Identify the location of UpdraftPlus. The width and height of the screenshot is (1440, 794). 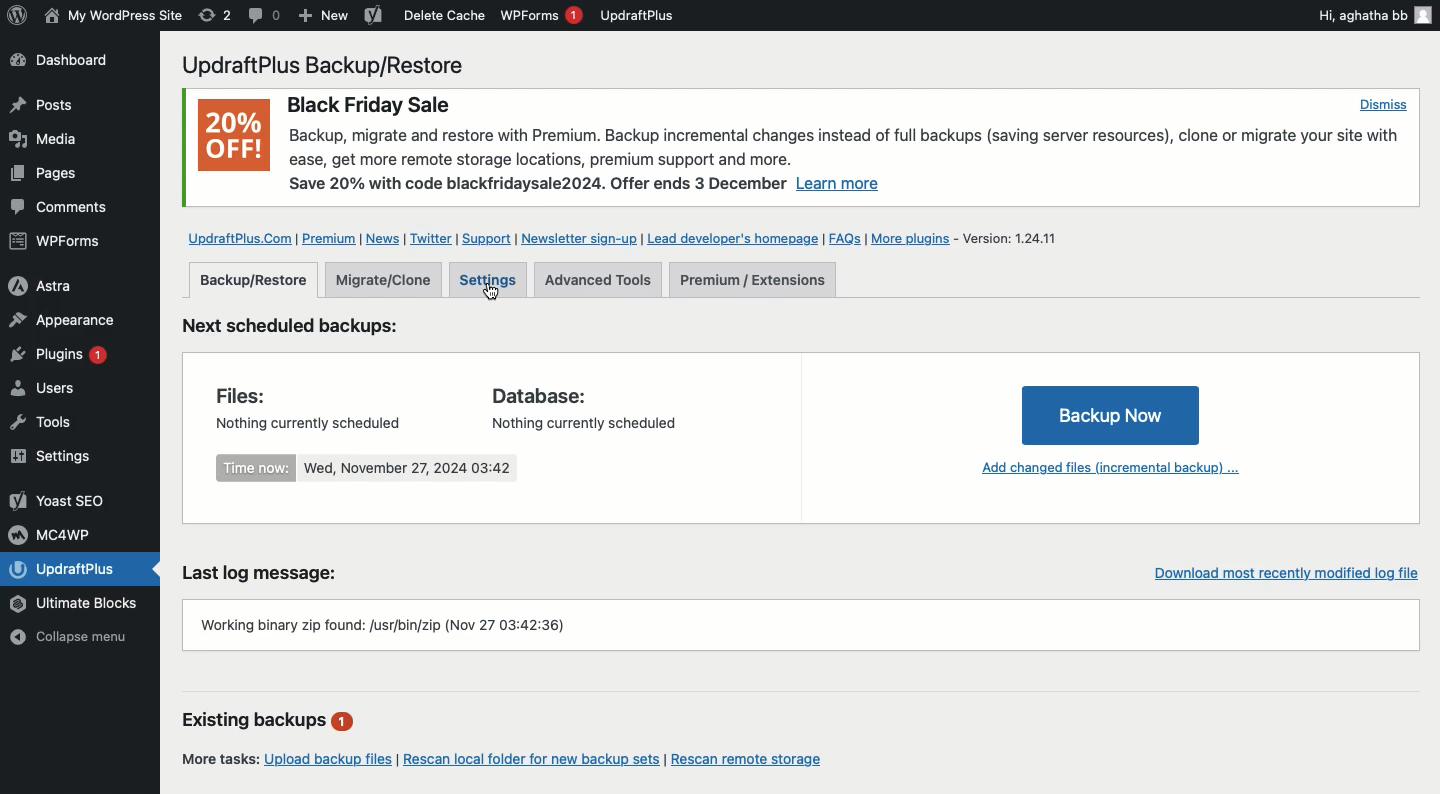
(83, 569).